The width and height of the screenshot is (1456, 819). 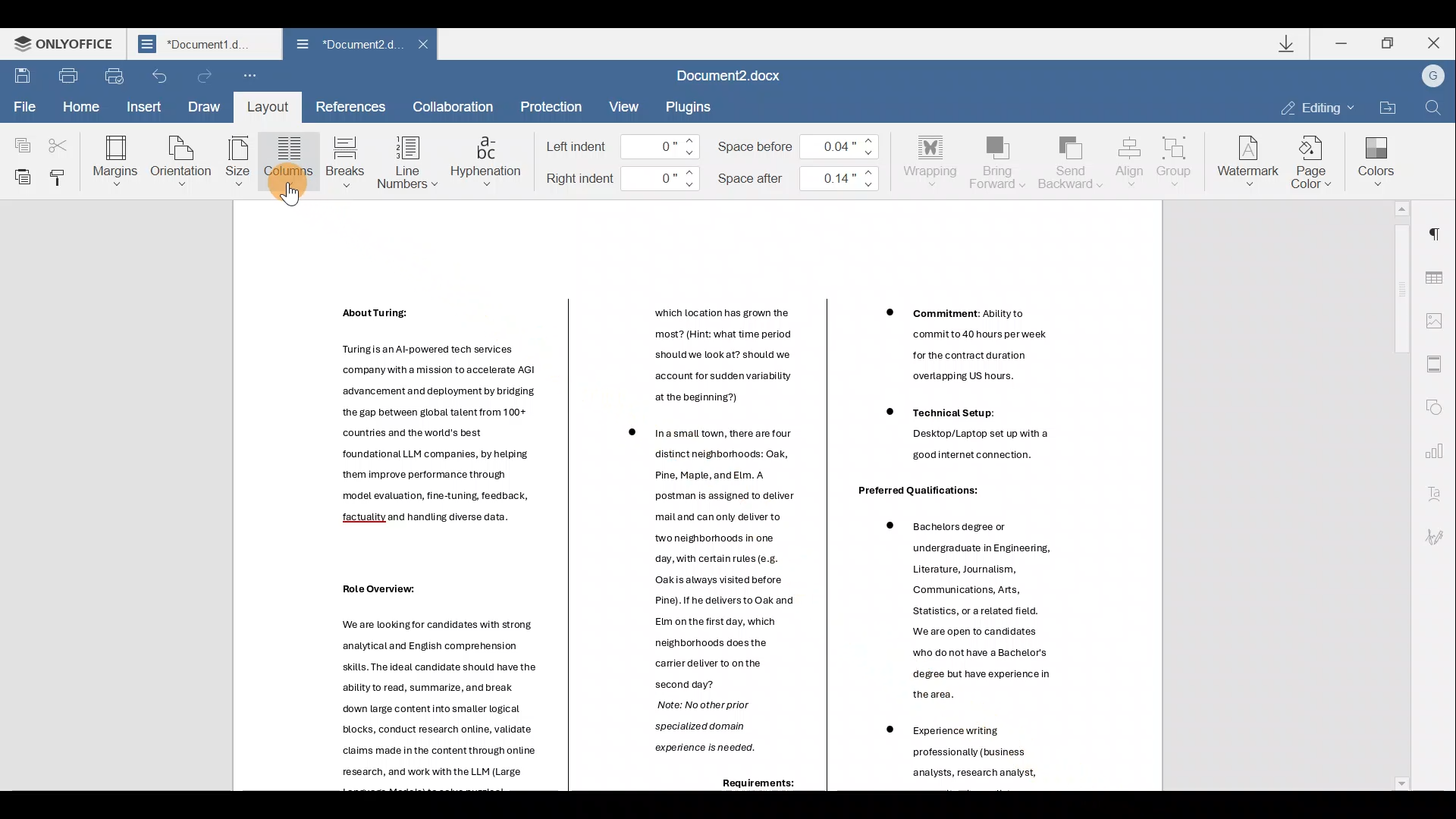 What do you see at coordinates (1437, 495) in the screenshot?
I see `Text Art settings` at bounding box center [1437, 495].